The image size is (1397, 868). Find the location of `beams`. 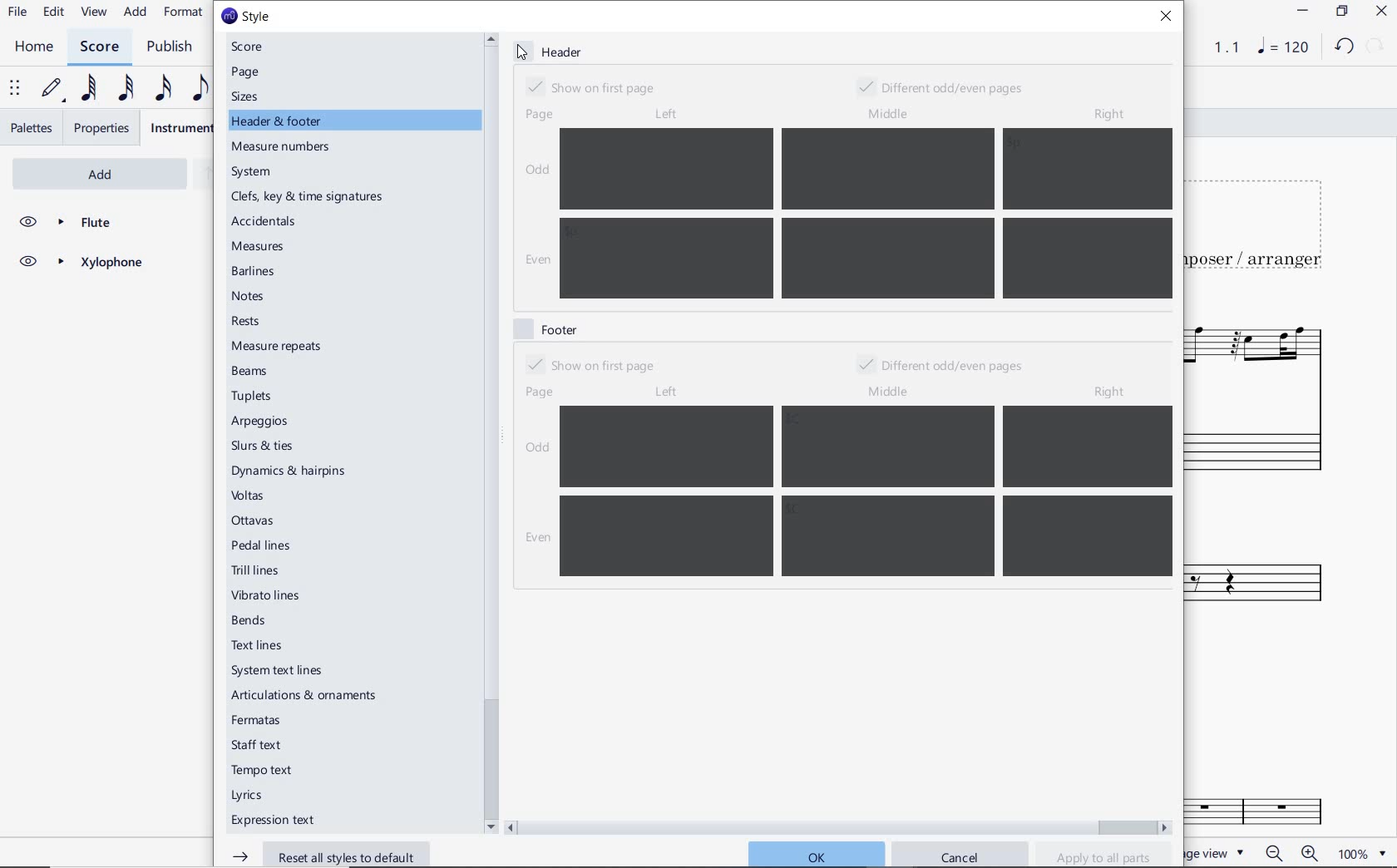

beams is located at coordinates (254, 372).